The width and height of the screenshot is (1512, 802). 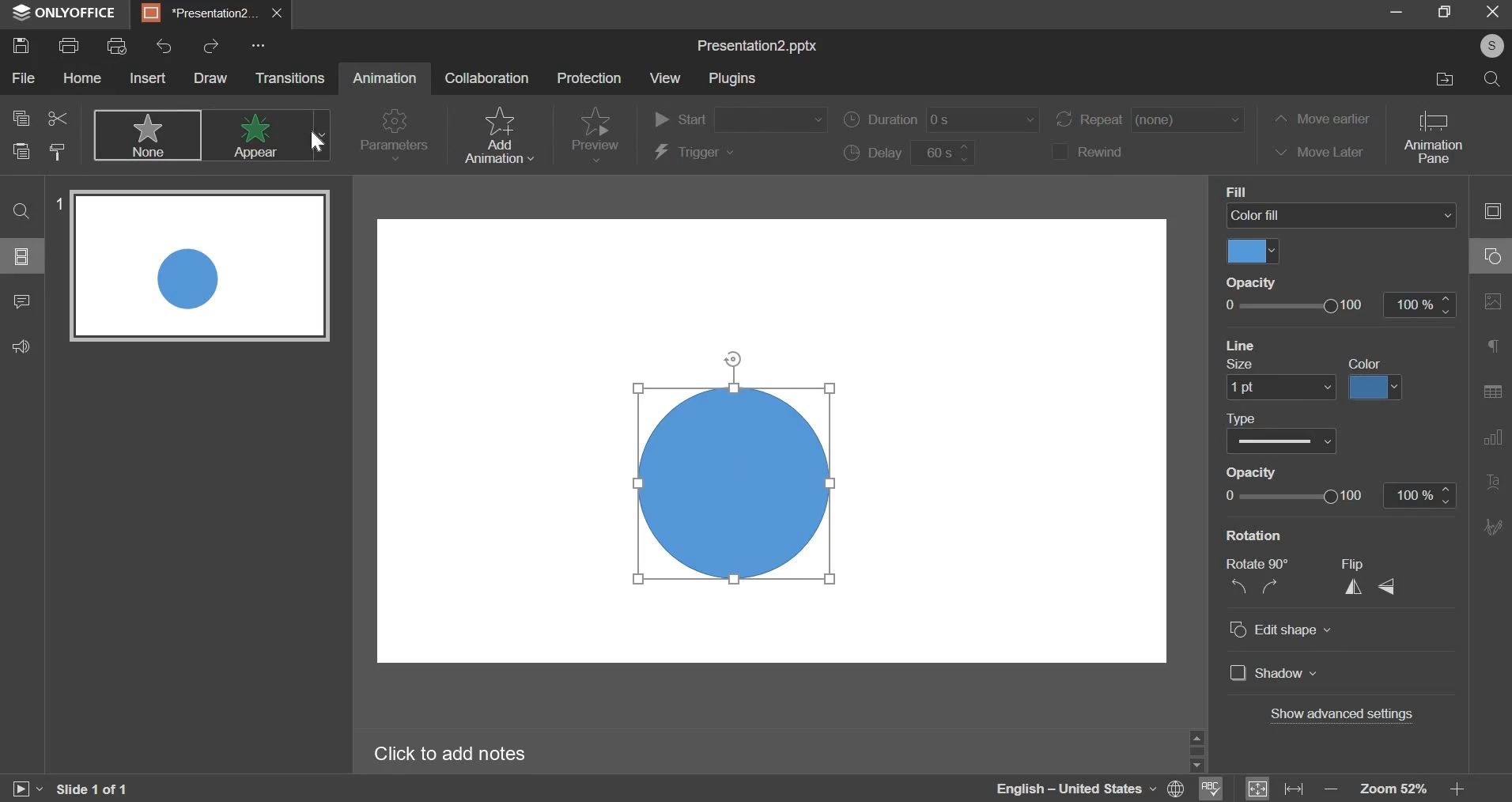 What do you see at coordinates (259, 44) in the screenshot?
I see `` at bounding box center [259, 44].